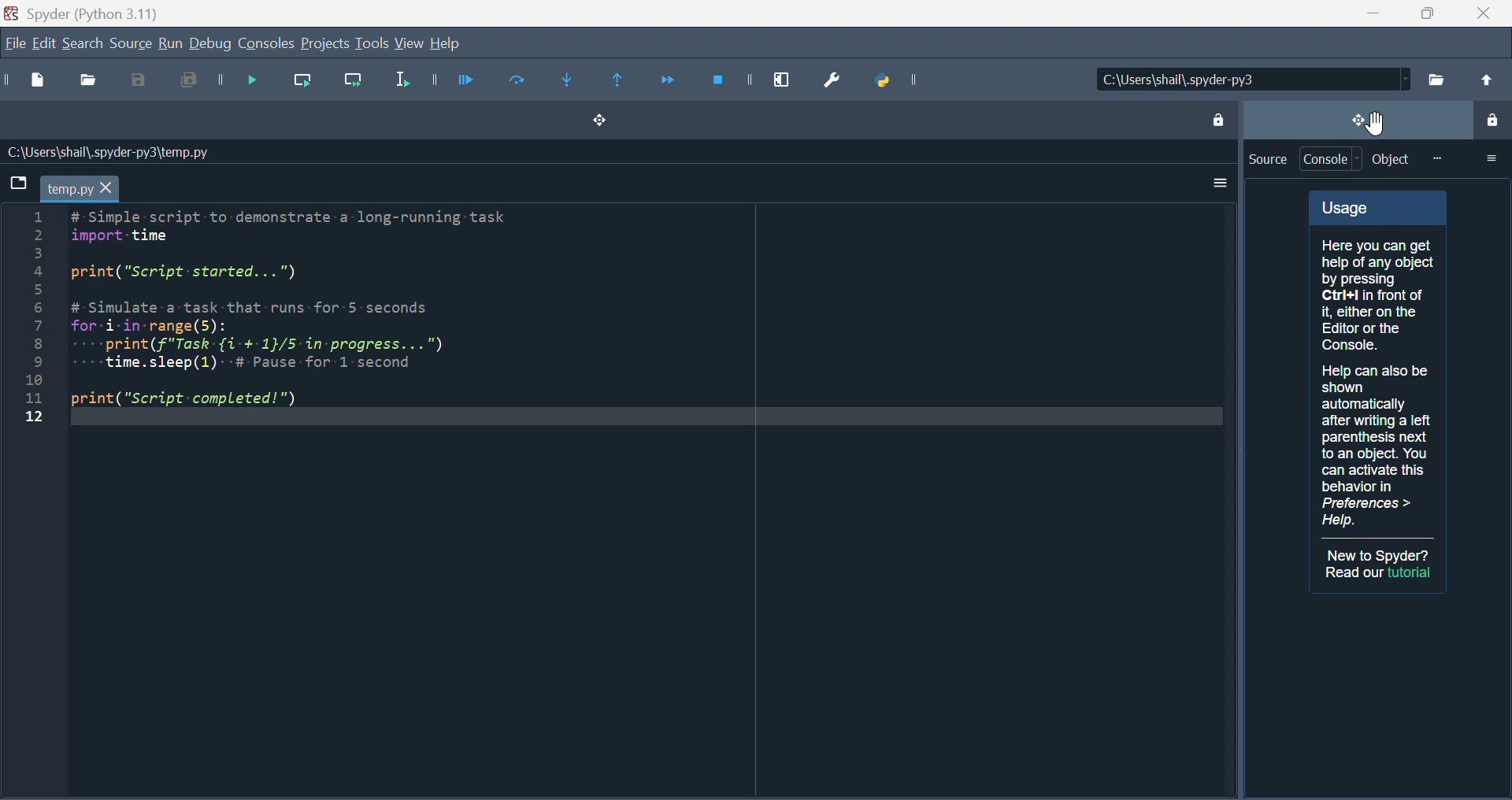 The width and height of the screenshot is (1512, 800). What do you see at coordinates (1380, 555) in the screenshot?
I see `New to Spyder?` at bounding box center [1380, 555].